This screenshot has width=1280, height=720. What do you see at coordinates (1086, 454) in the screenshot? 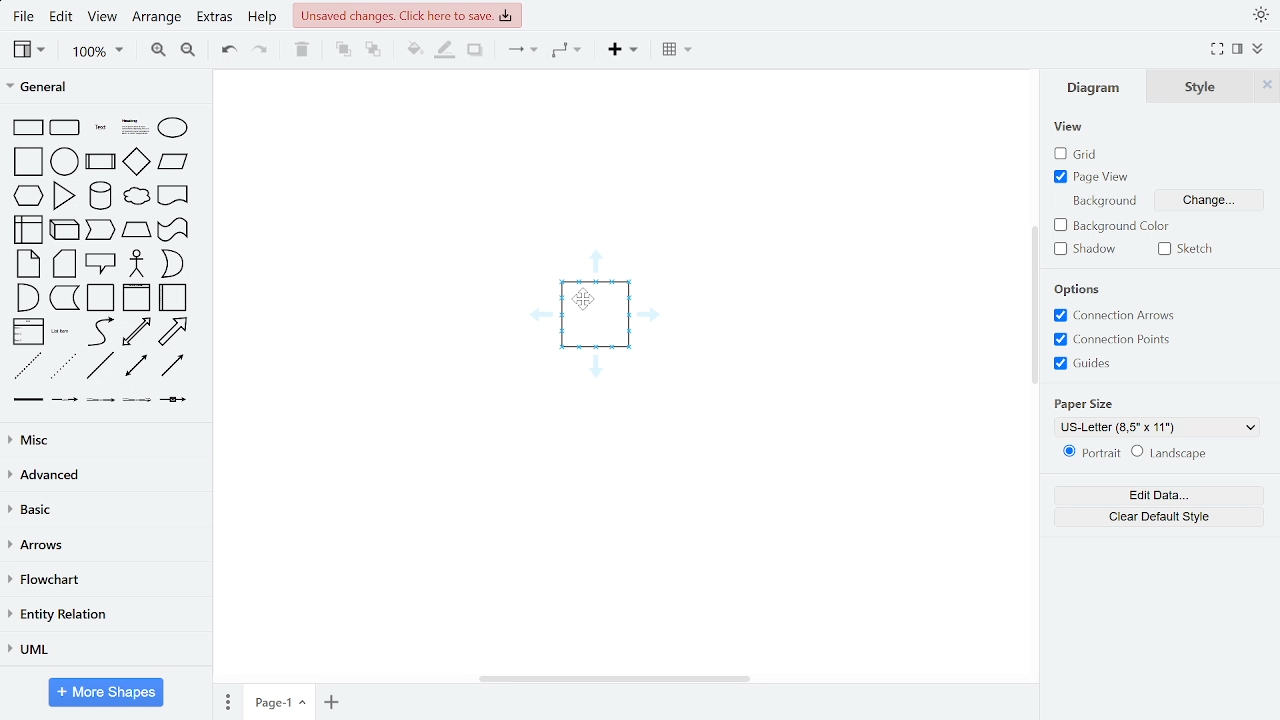
I see `potrait` at bounding box center [1086, 454].